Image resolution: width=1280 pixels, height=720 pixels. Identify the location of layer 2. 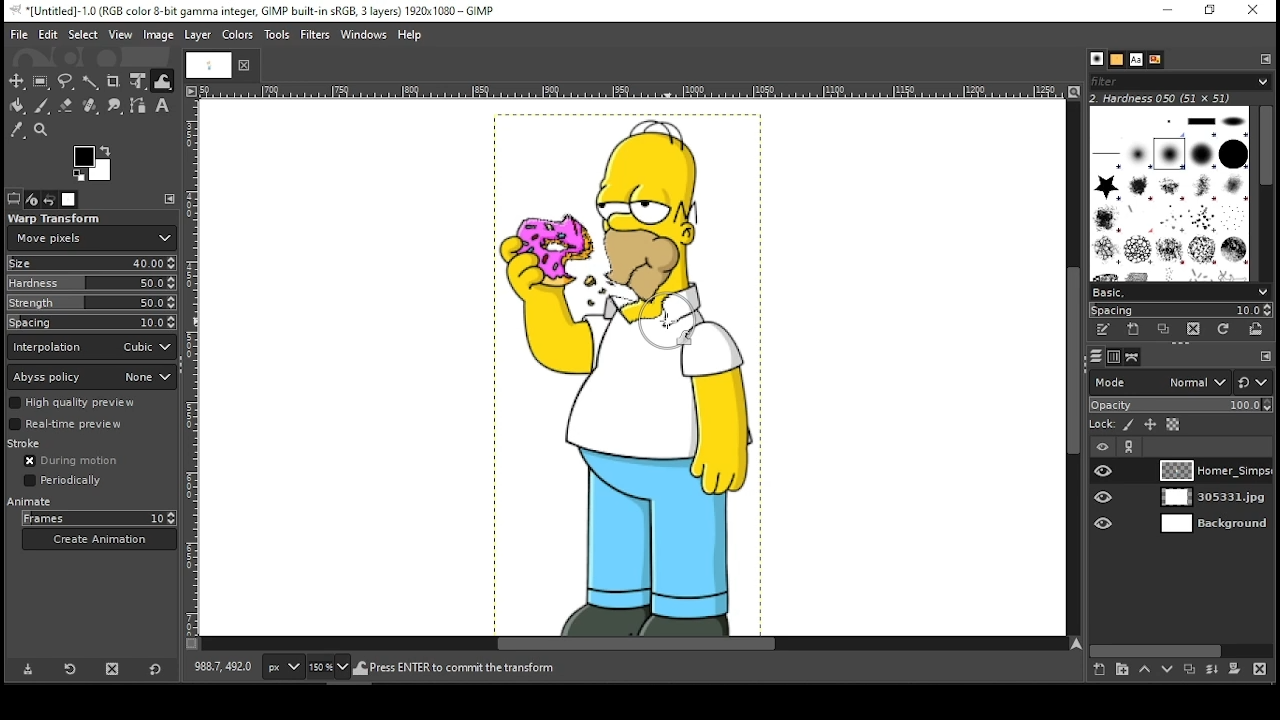
(1215, 498).